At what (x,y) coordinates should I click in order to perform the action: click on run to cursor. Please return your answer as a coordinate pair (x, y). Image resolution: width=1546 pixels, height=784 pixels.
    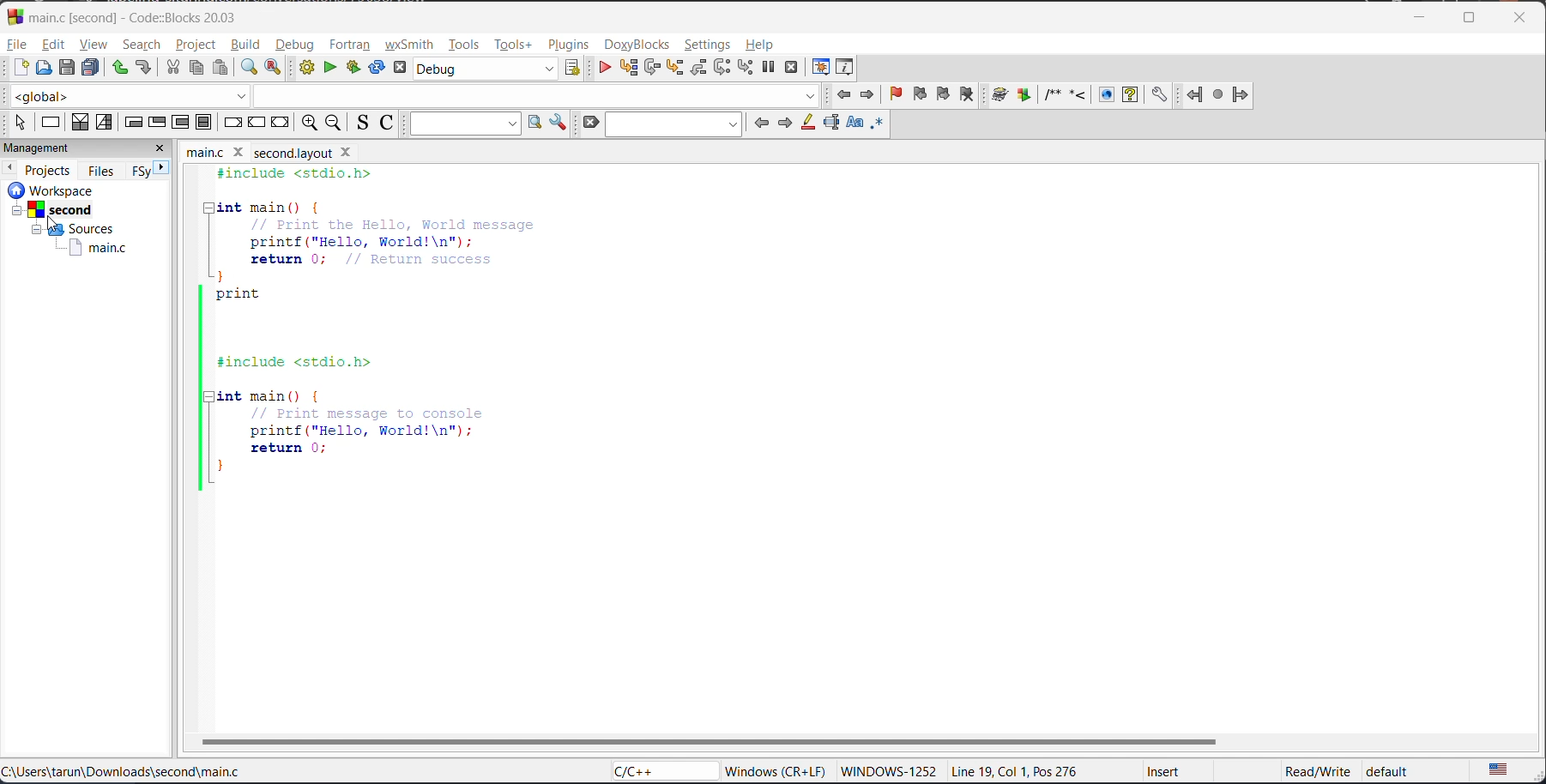
    Looking at the image, I should click on (626, 69).